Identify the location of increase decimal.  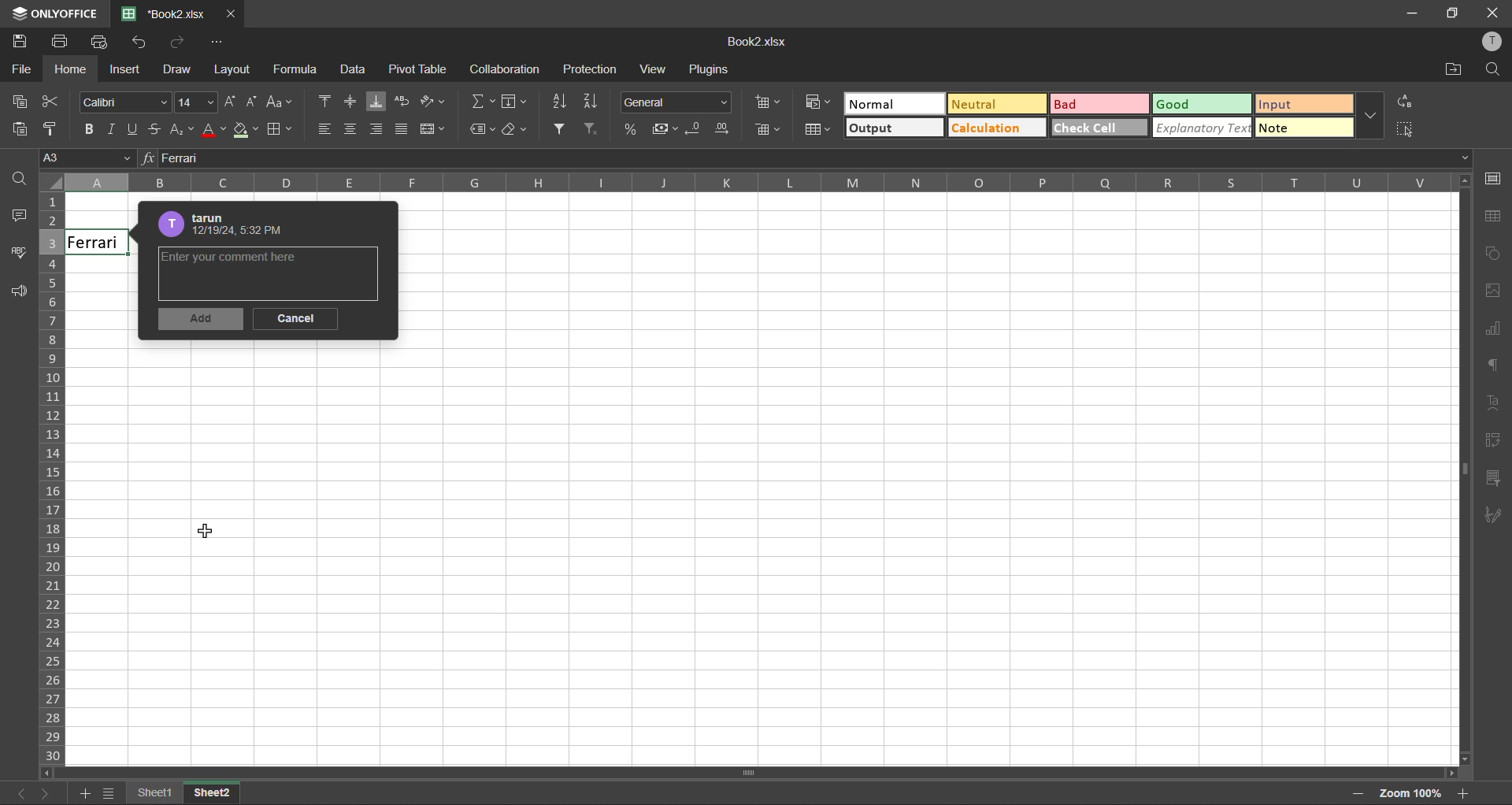
(726, 132).